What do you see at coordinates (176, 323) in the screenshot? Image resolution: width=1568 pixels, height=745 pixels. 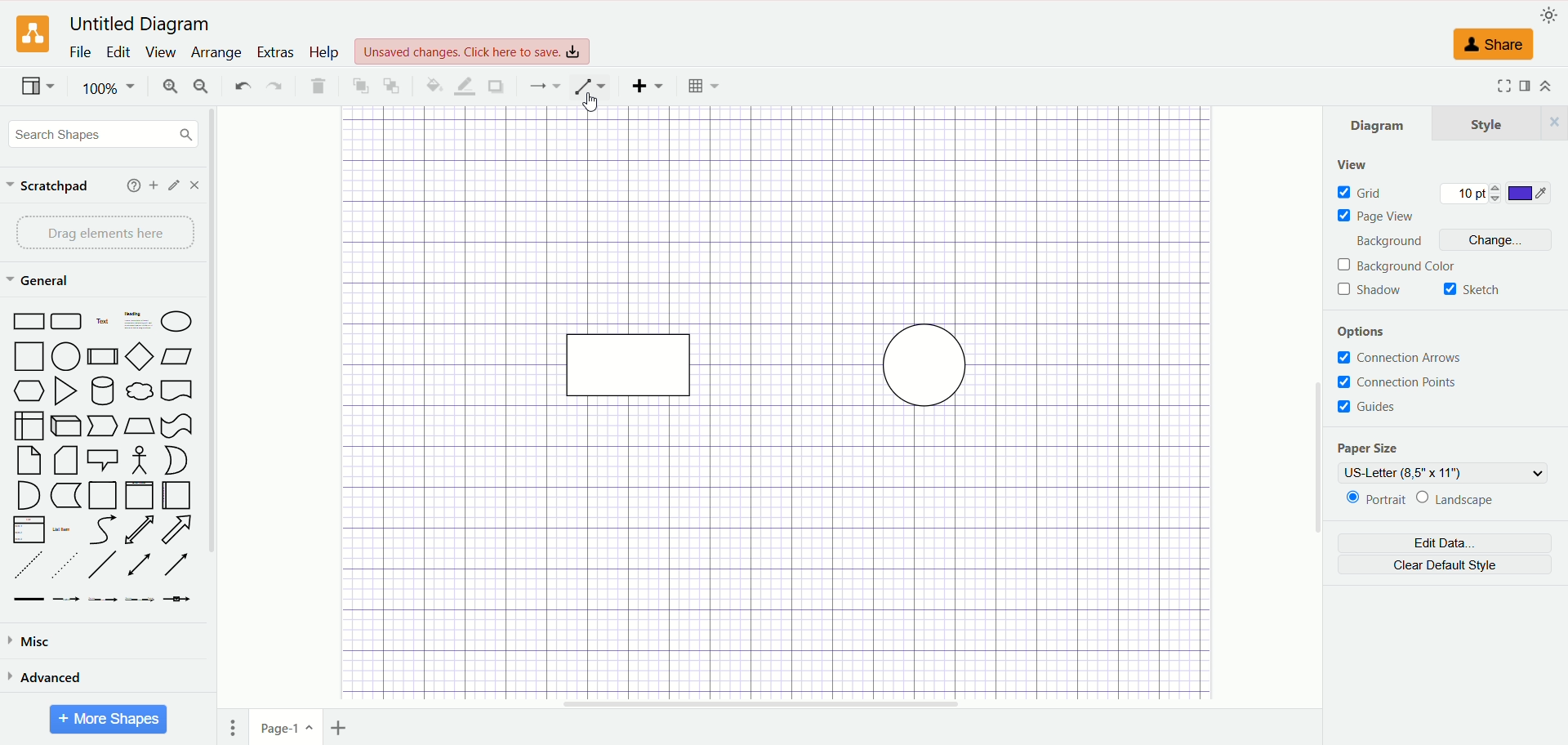 I see `Ellipse` at bounding box center [176, 323].